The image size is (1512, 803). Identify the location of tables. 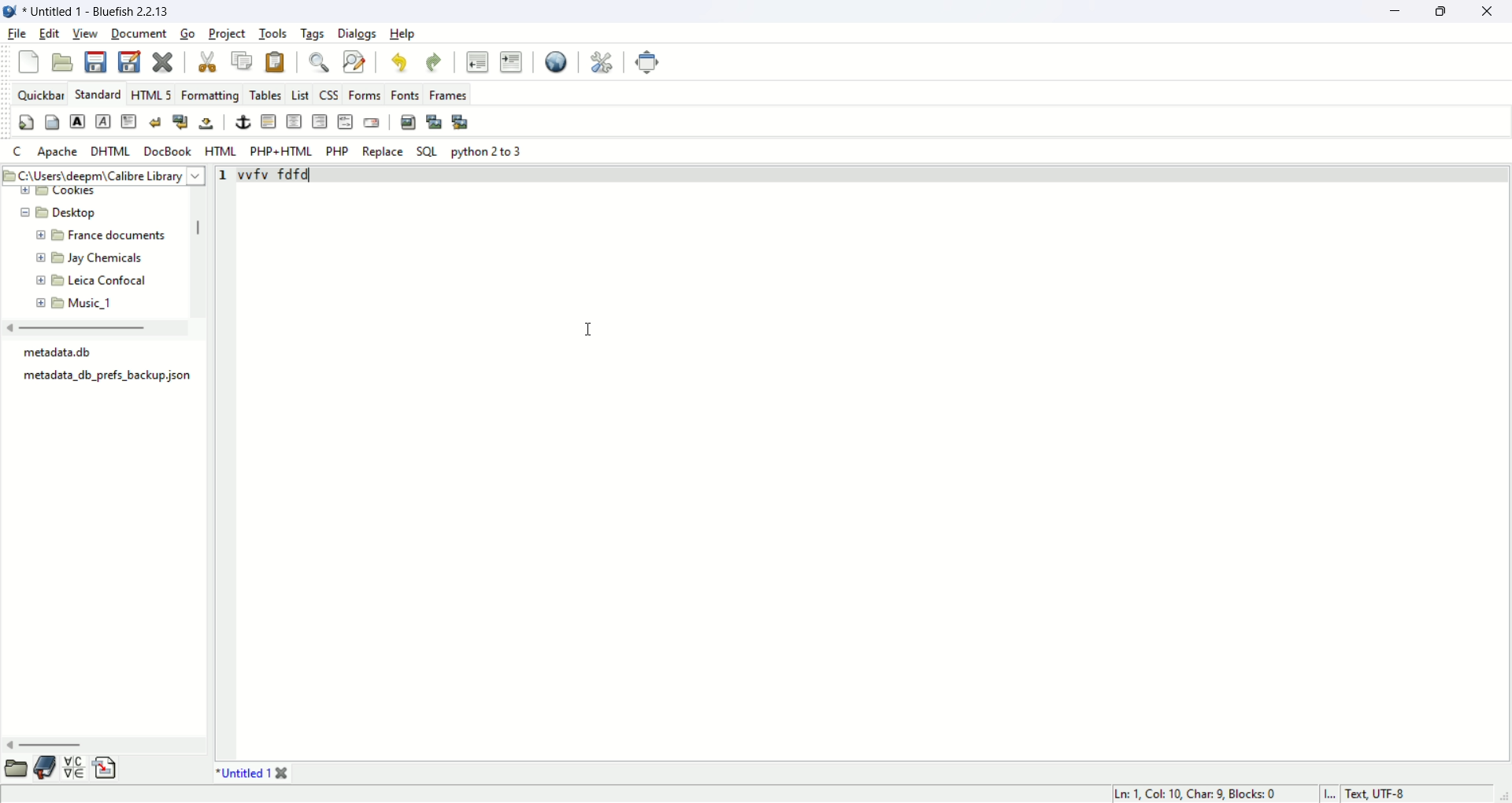
(265, 94).